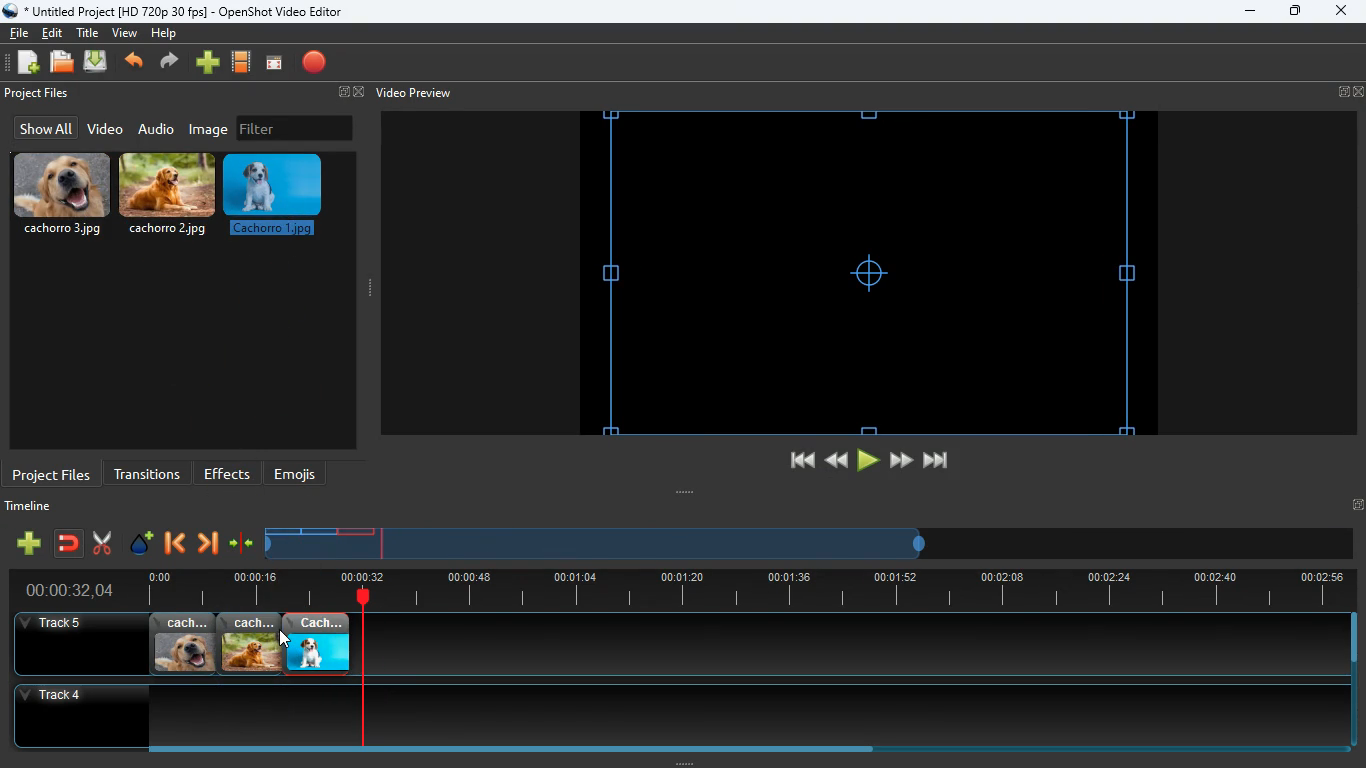  What do you see at coordinates (284, 639) in the screenshot?
I see `Cursor` at bounding box center [284, 639].